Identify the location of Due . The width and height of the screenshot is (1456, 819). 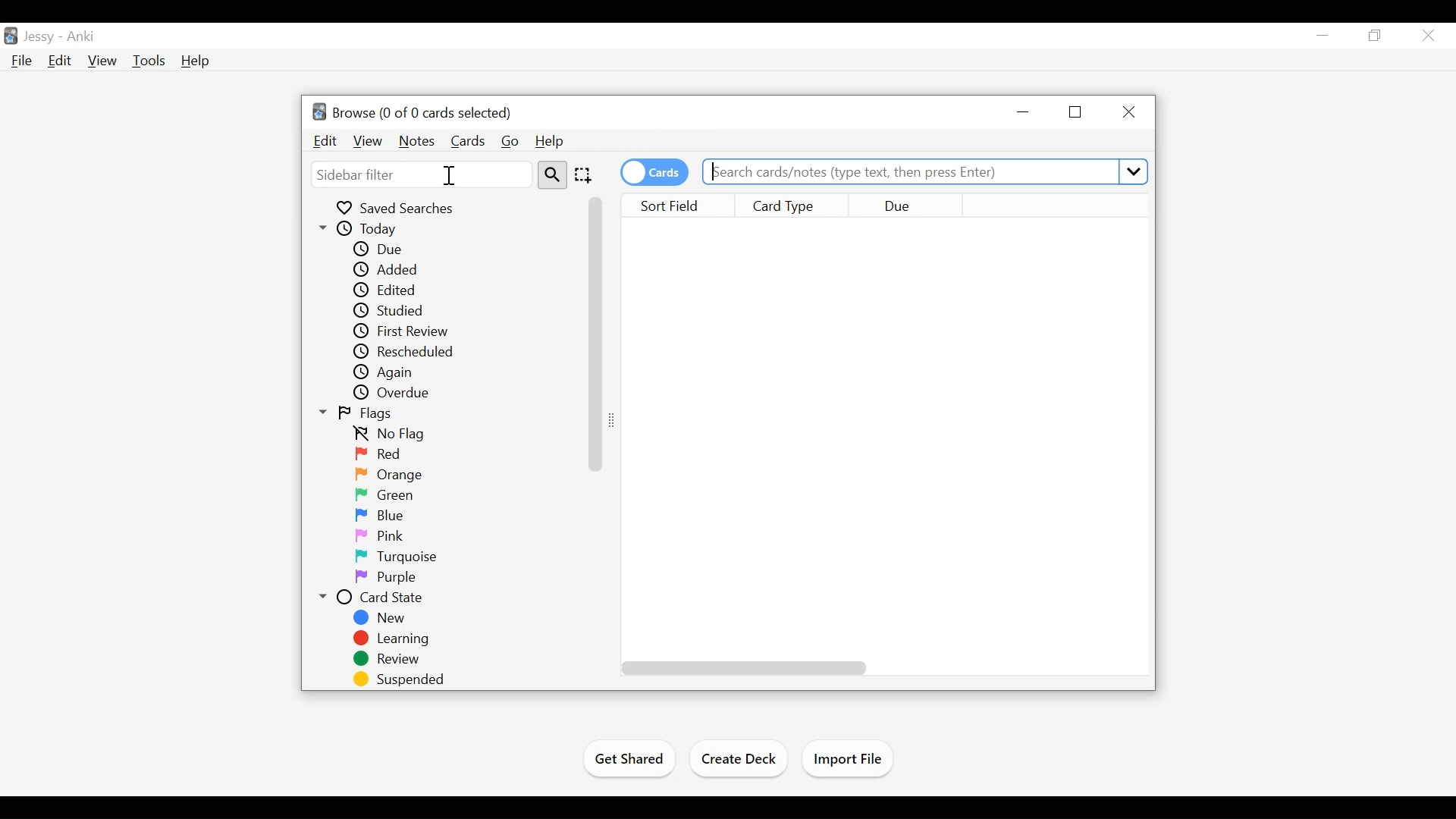
(904, 206).